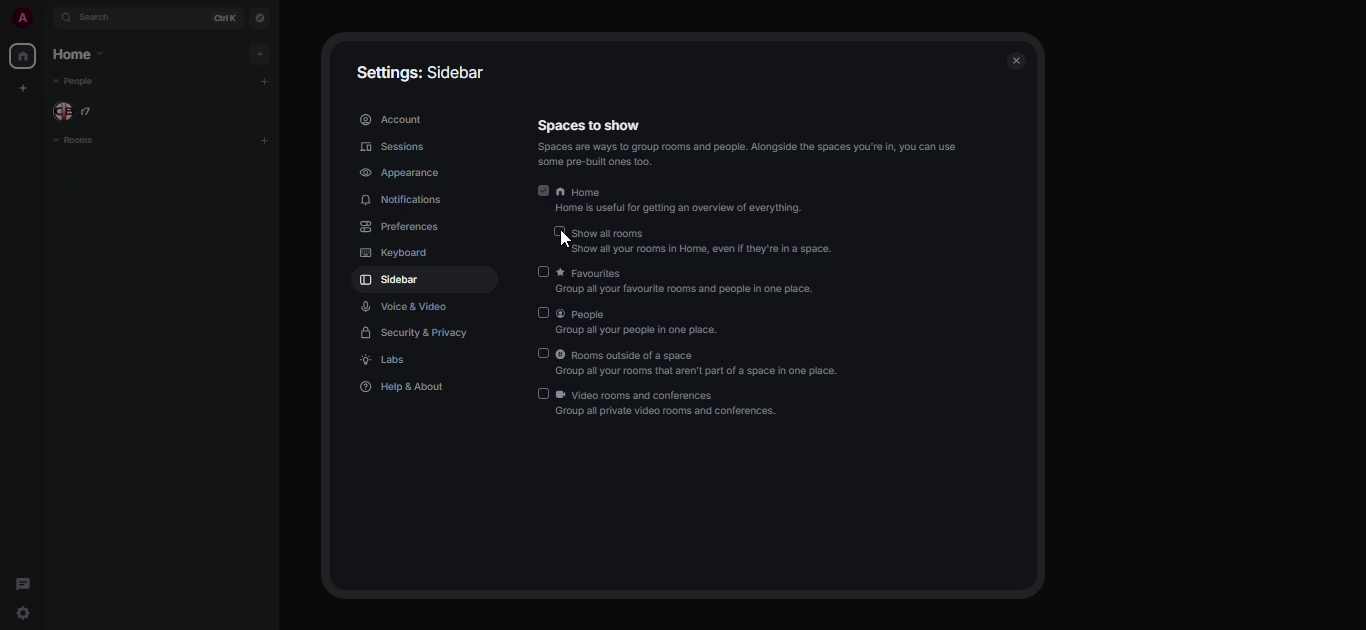 The height and width of the screenshot is (630, 1366). What do you see at coordinates (406, 228) in the screenshot?
I see `preferences` at bounding box center [406, 228].